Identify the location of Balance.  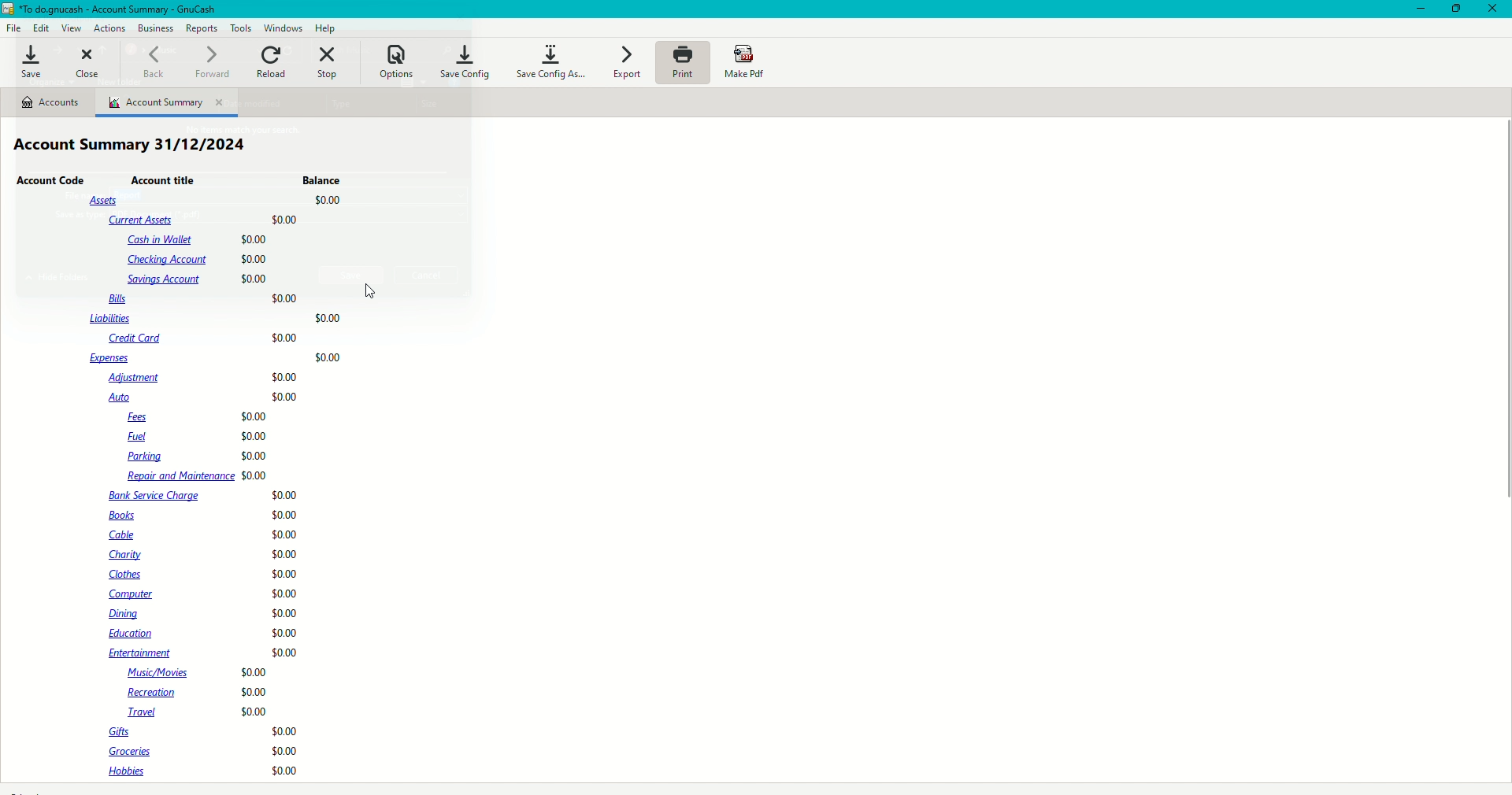
(323, 181).